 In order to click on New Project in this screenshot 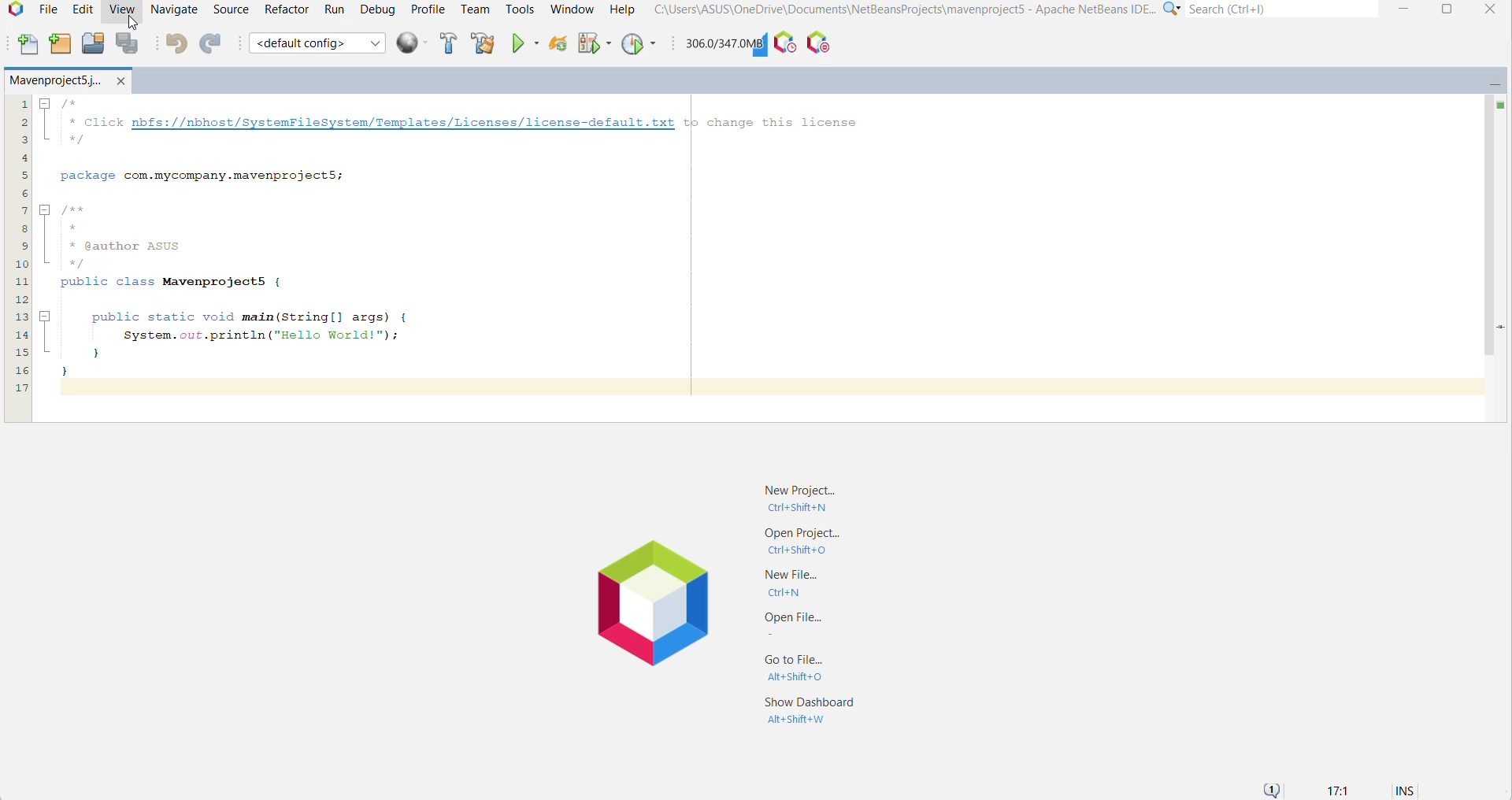, I will do `click(60, 43)`.